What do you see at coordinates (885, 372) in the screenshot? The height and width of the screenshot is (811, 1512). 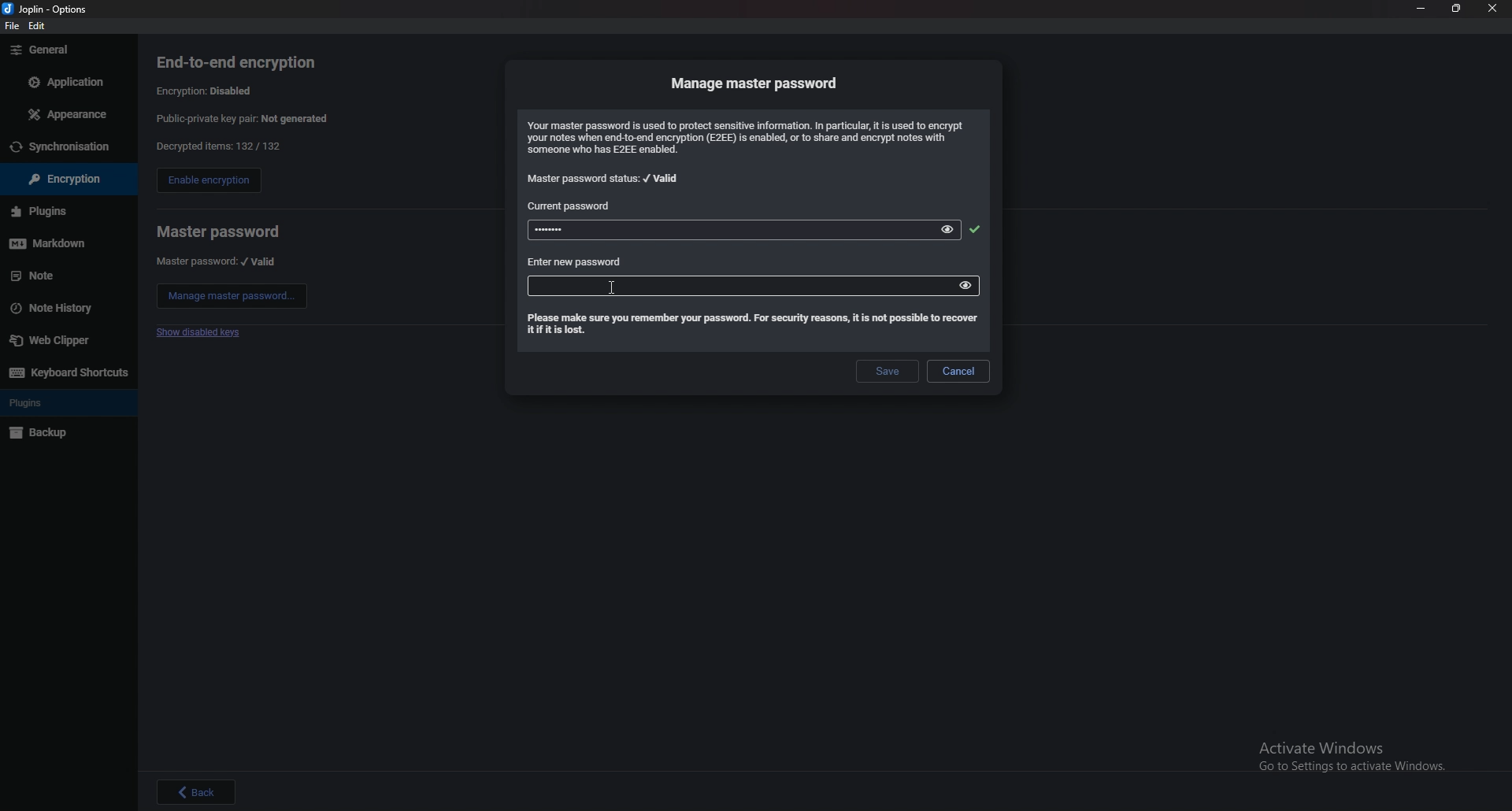 I see `save` at bounding box center [885, 372].